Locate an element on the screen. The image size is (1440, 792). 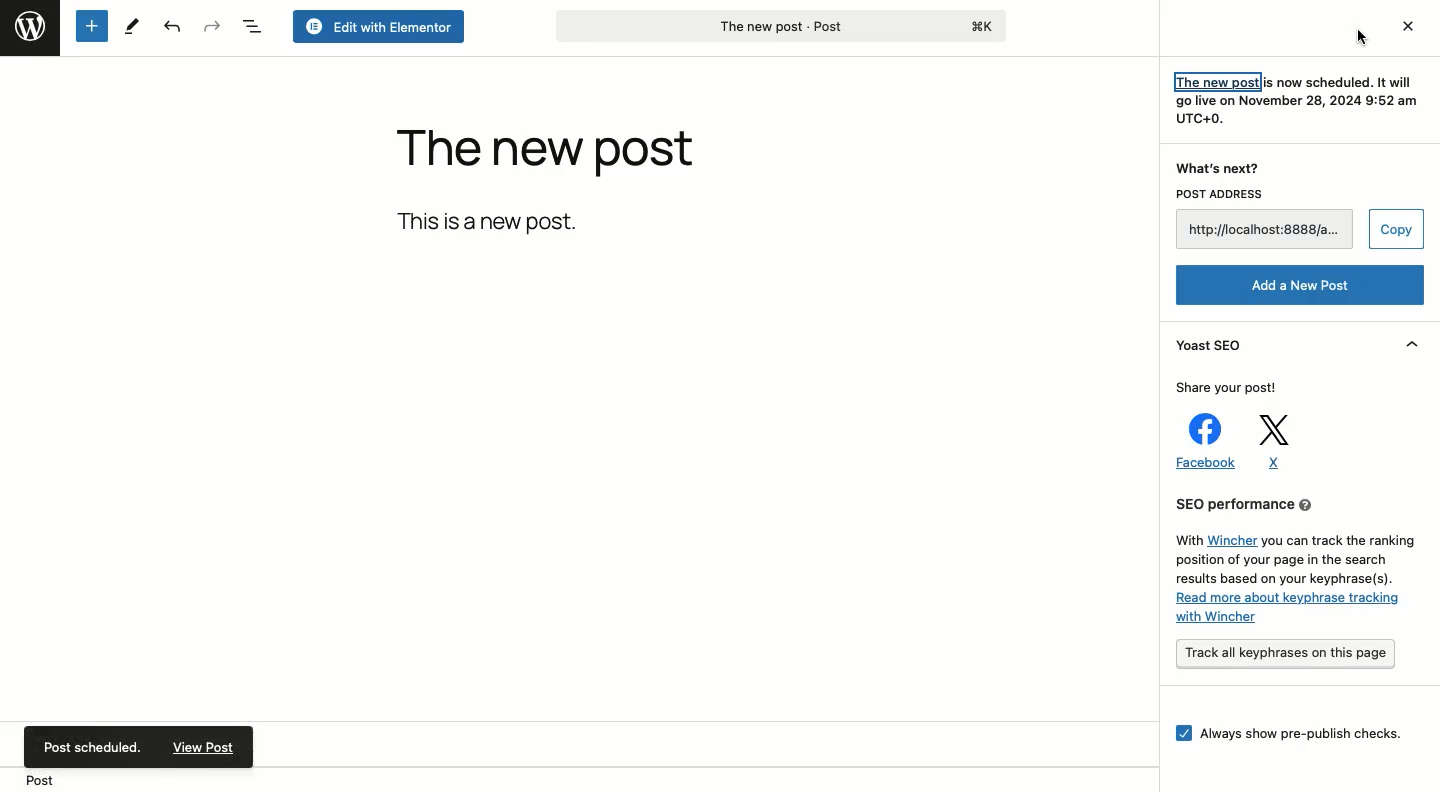
Wordpress logo is located at coordinates (29, 26).